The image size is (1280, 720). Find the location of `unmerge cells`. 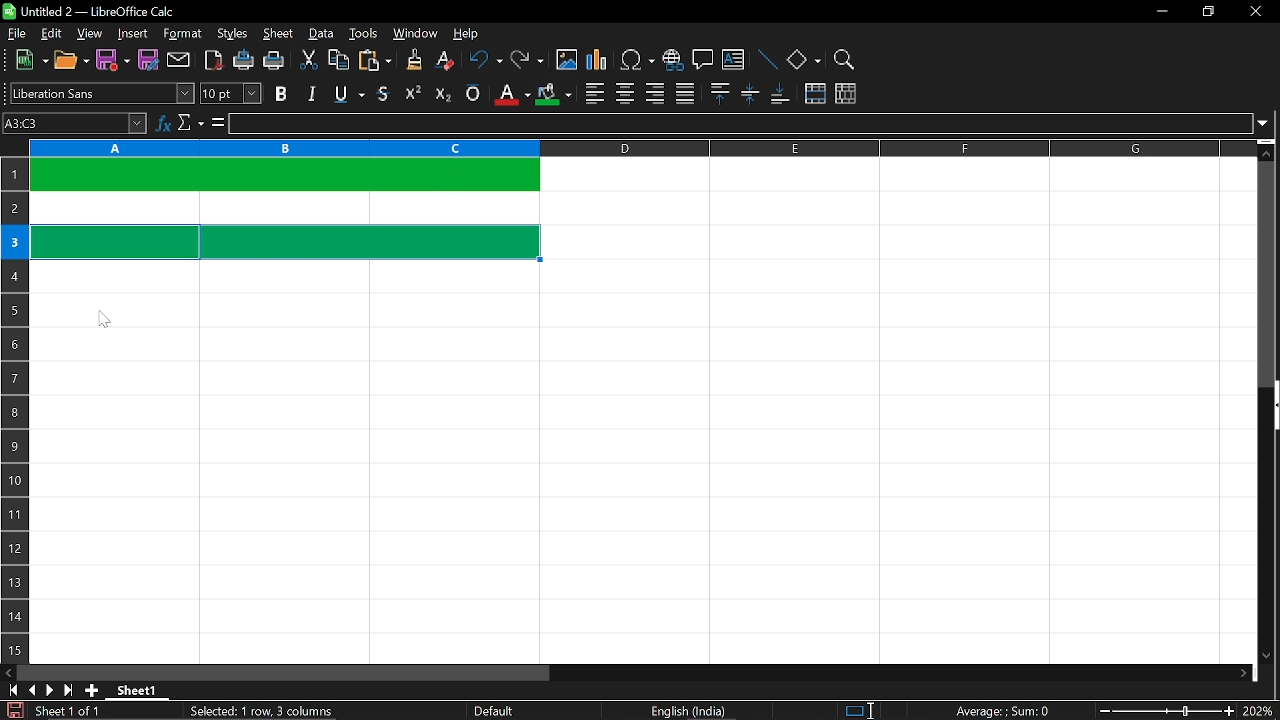

unmerge cells is located at coordinates (846, 95).